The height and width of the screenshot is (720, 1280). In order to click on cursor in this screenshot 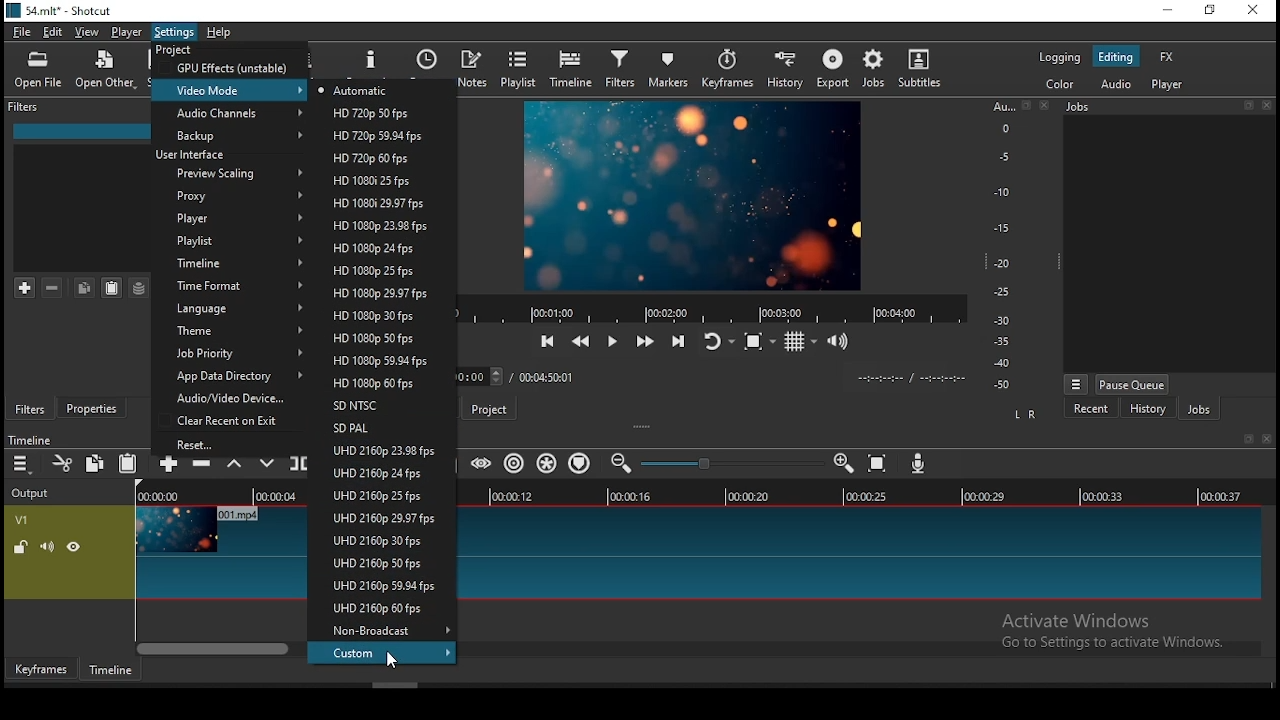, I will do `click(395, 661)`.